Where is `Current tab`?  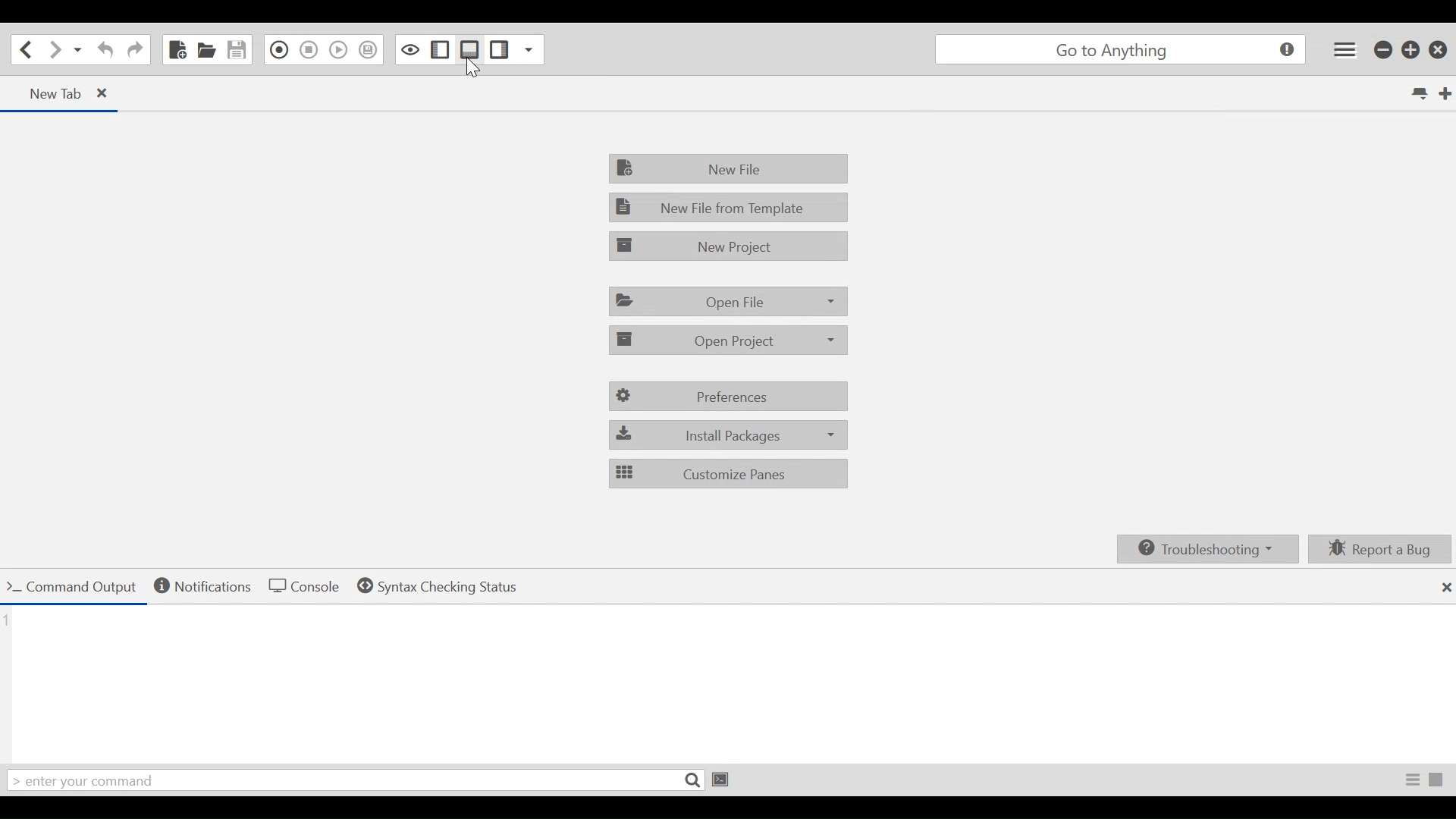
Current tab is located at coordinates (58, 93).